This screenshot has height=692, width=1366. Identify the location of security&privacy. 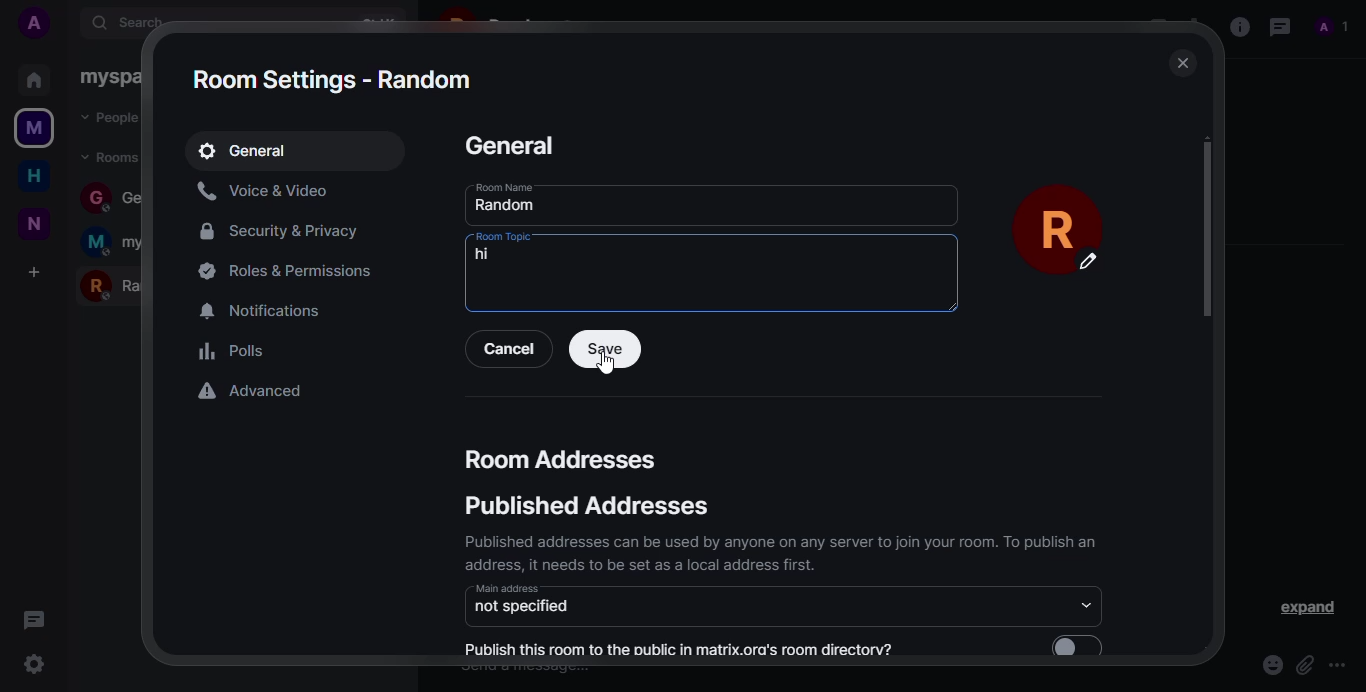
(296, 231).